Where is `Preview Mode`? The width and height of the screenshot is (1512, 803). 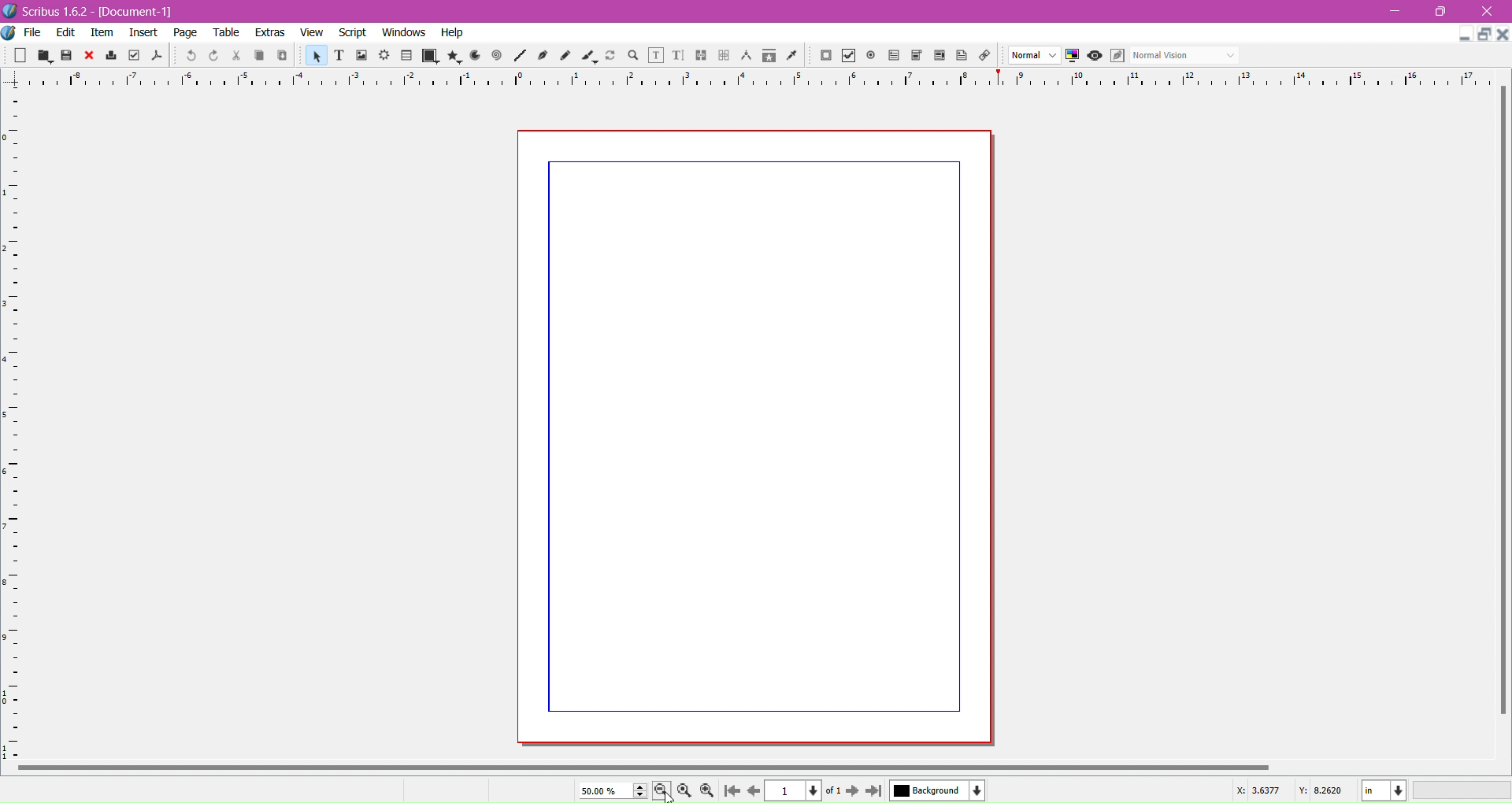
Preview Mode is located at coordinates (1095, 55).